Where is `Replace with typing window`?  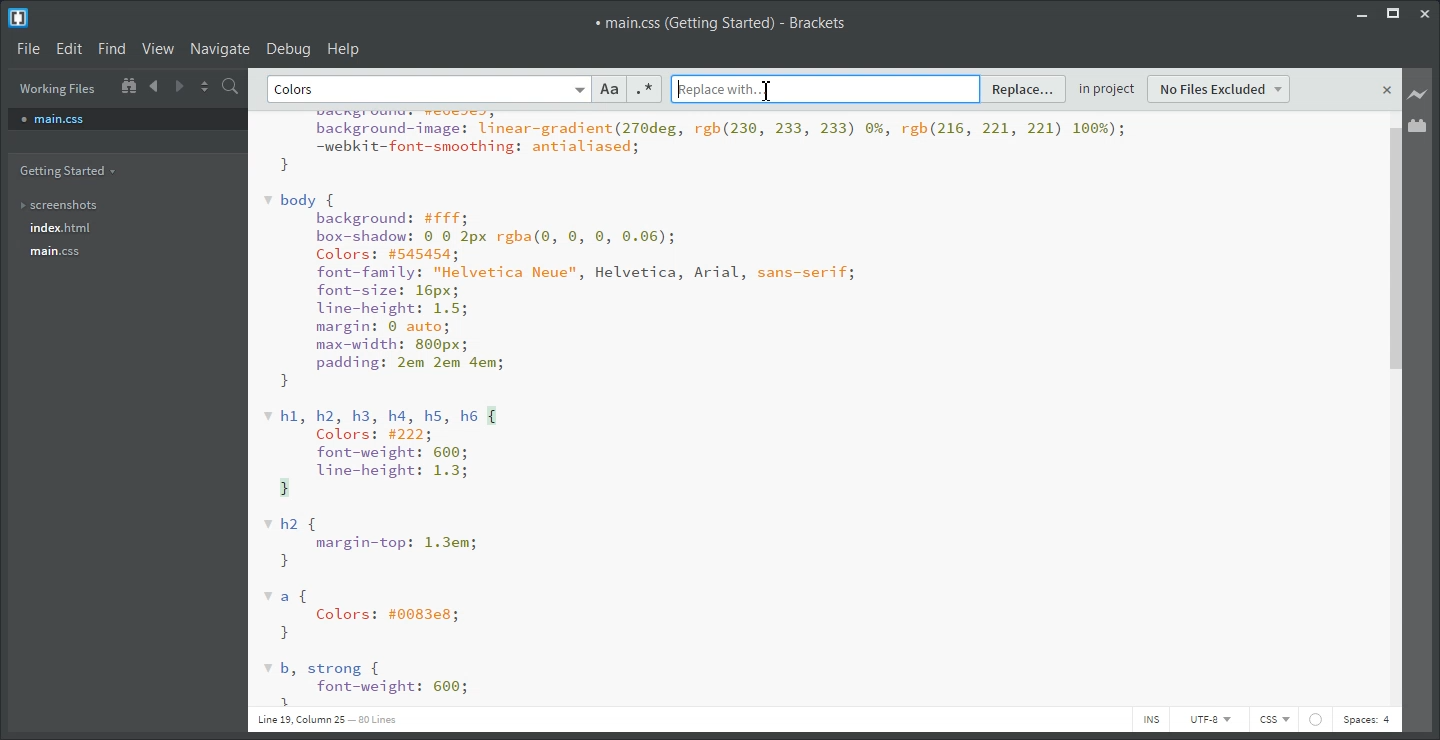
Replace with typing window is located at coordinates (825, 88).